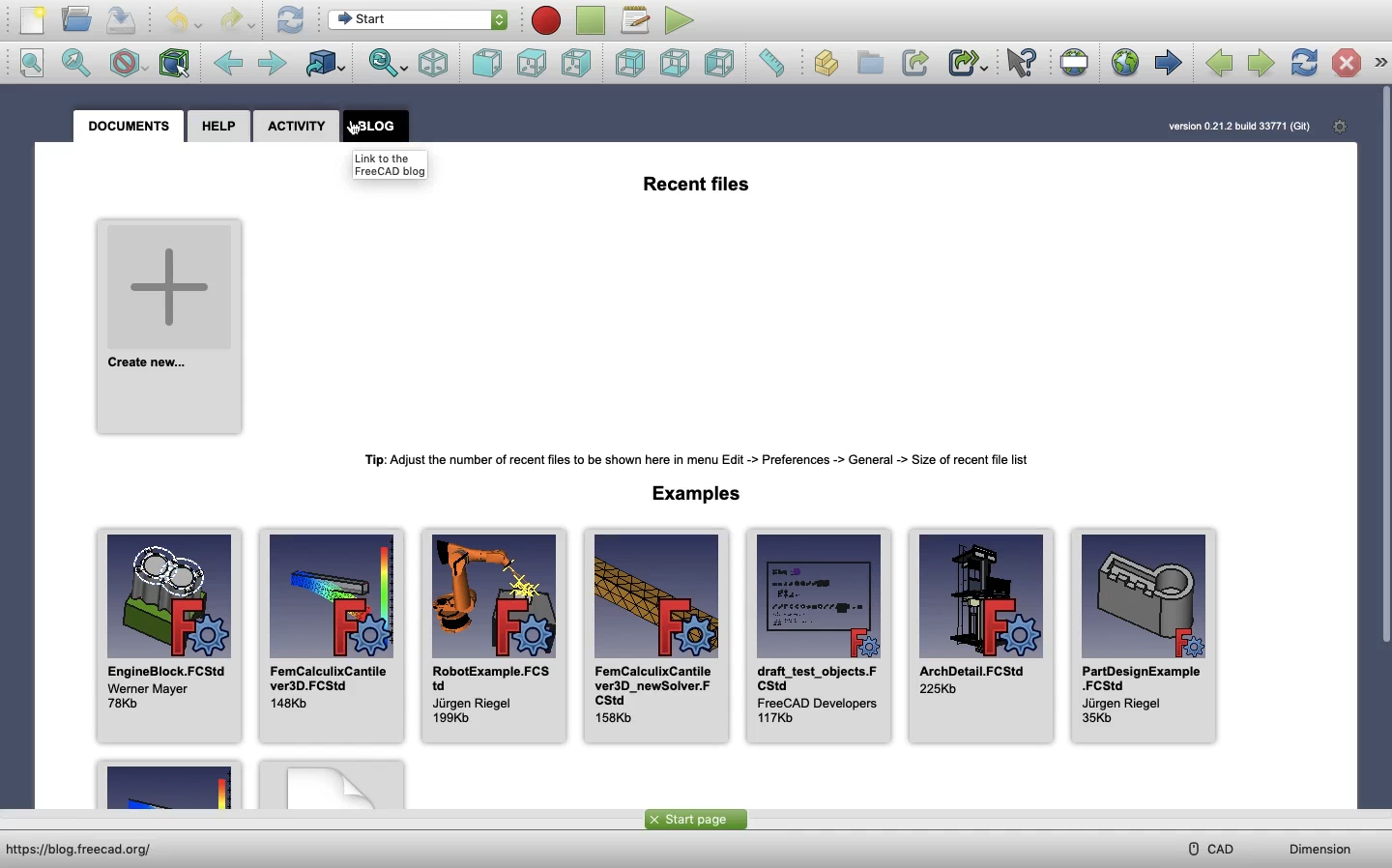  Describe the element at coordinates (433, 63) in the screenshot. I see `Isometric` at that location.